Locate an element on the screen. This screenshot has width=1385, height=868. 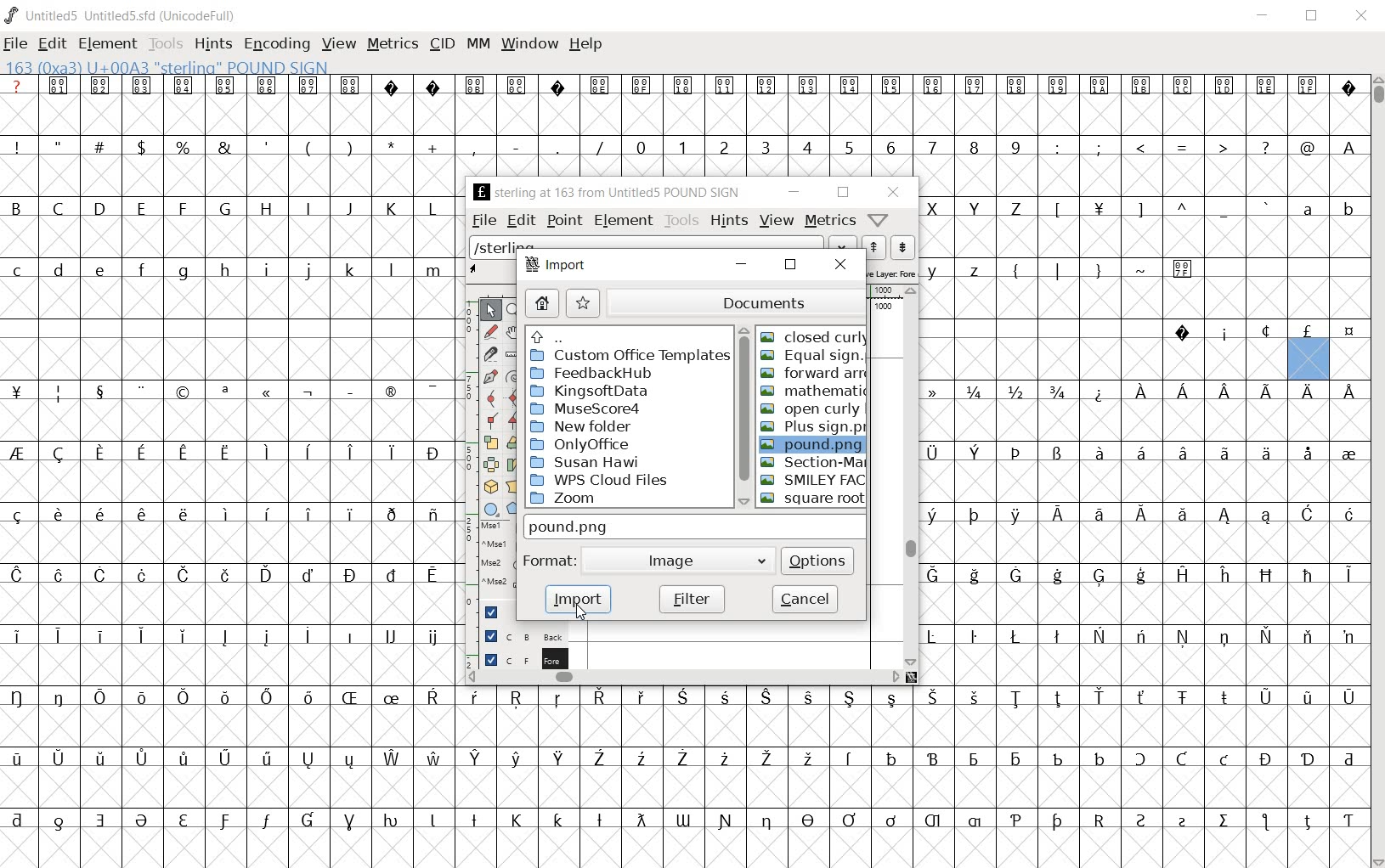
Symbol is located at coordinates (1182, 573).